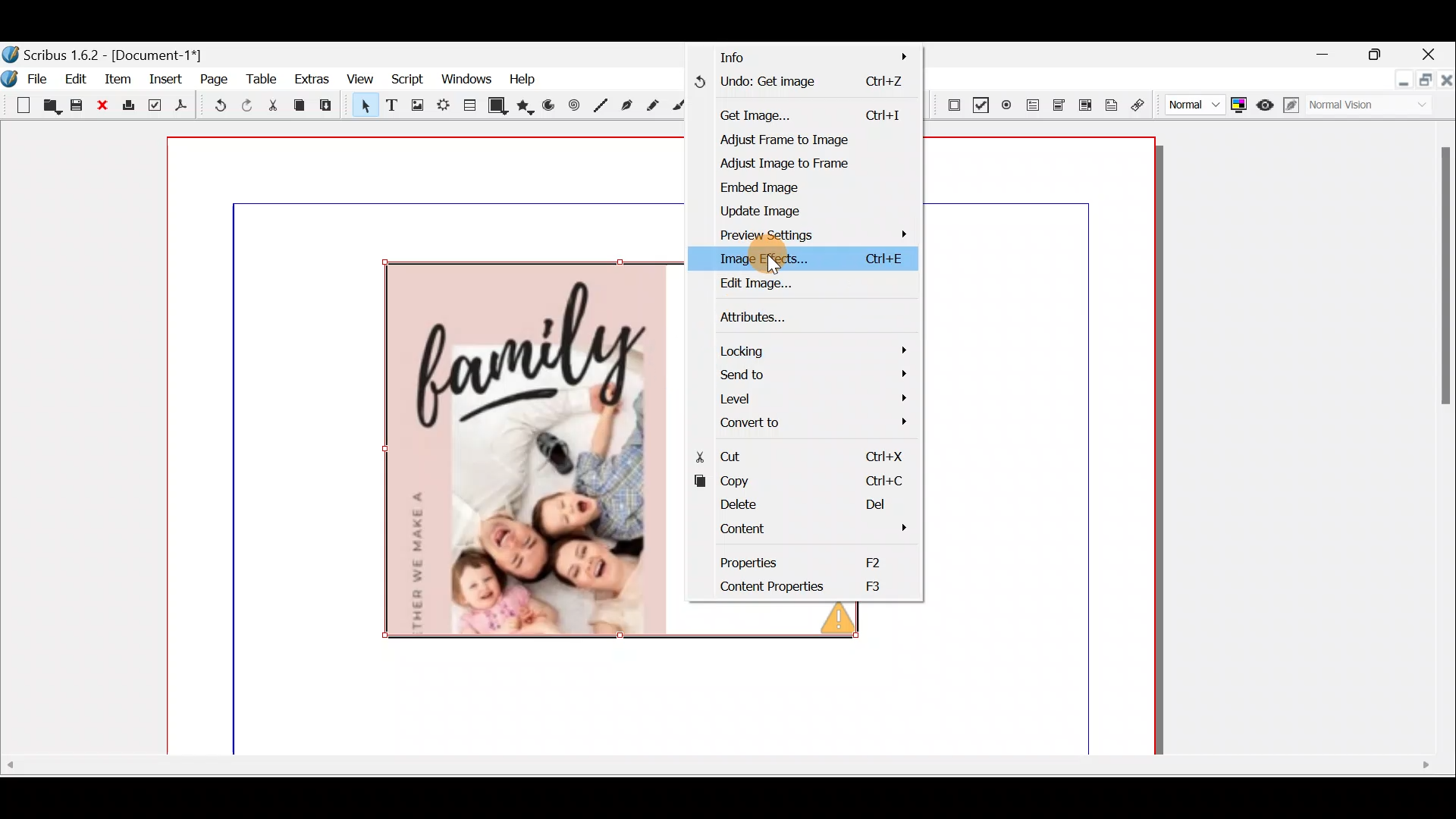 The height and width of the screenshot is (819, 1456). Describe the element at coordinates (42, 77) in the screenshot. I see `File` at that location.